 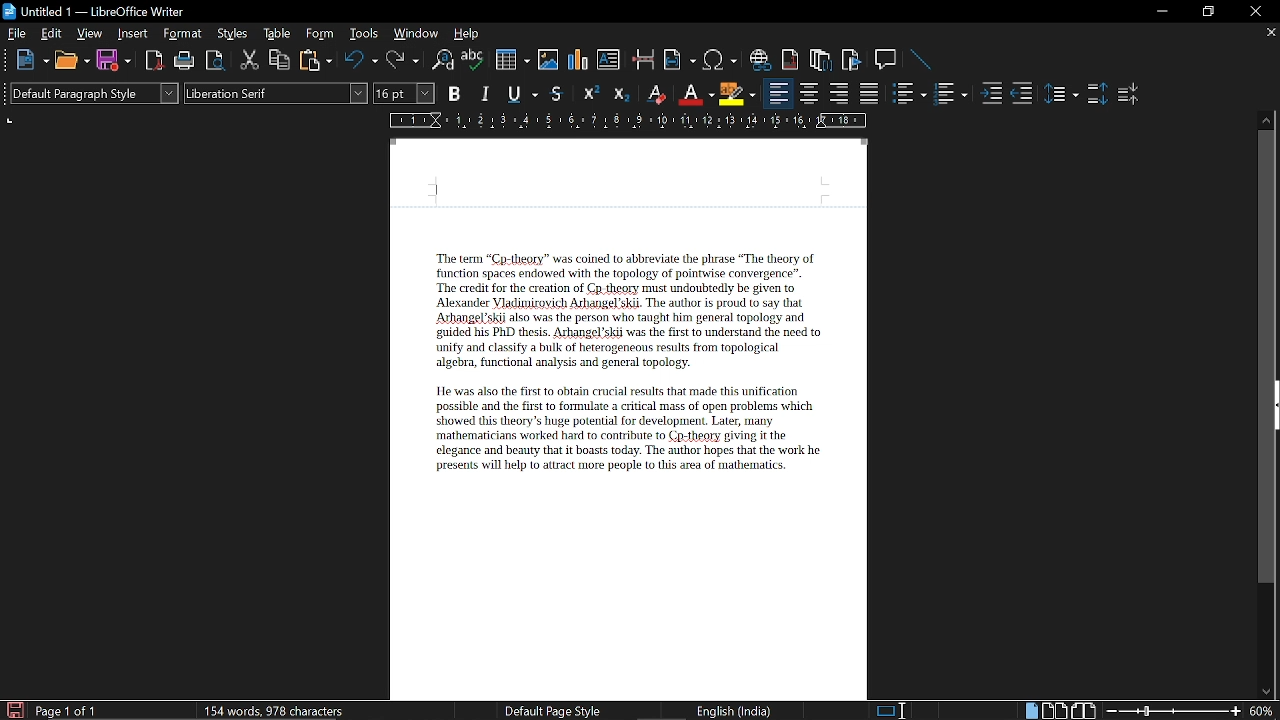 I want to click on Paste, so click(x=314, y=59).